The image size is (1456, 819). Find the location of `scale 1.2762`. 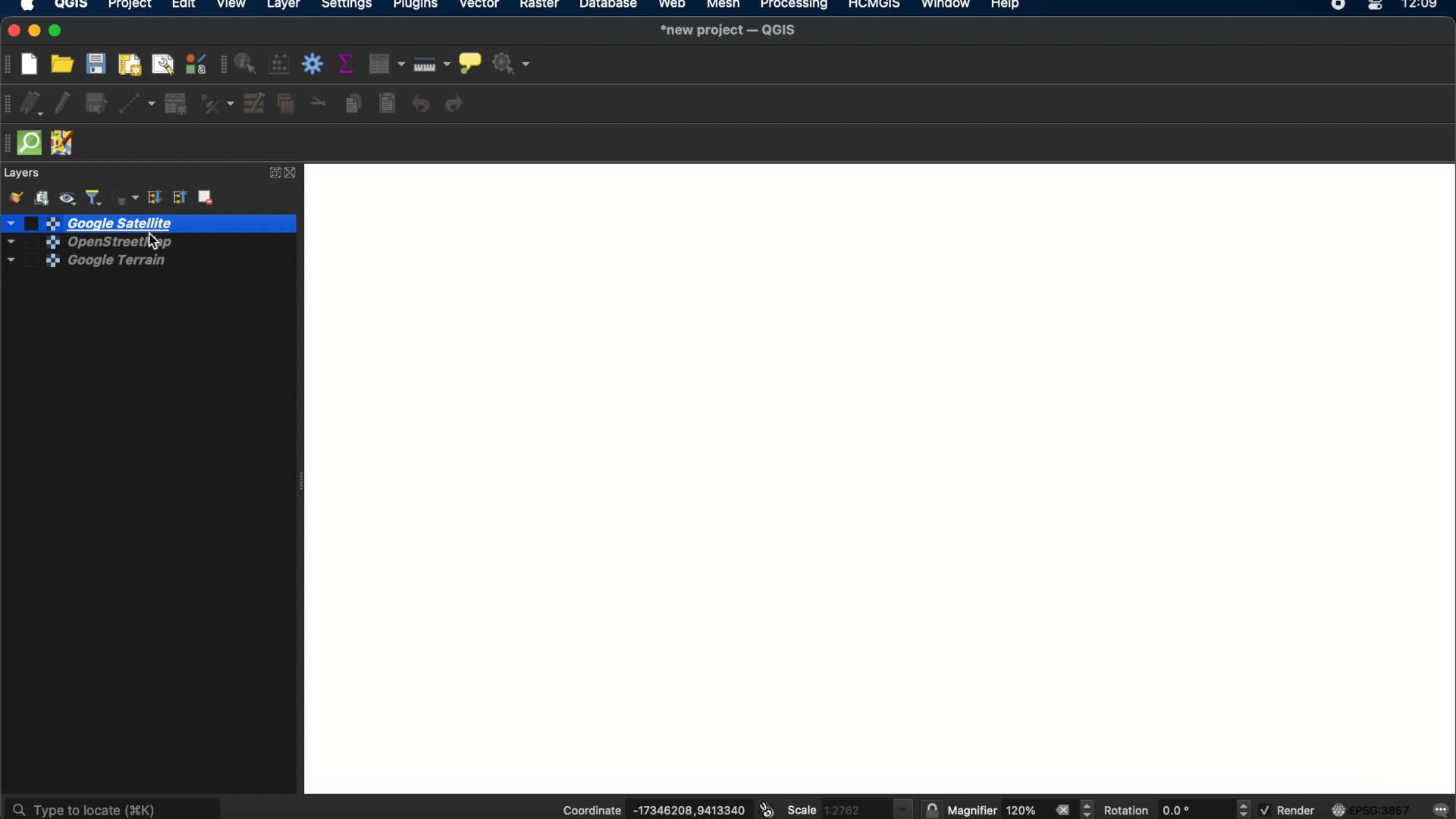

scale 1.2762 is located at coordinates (849, 807).